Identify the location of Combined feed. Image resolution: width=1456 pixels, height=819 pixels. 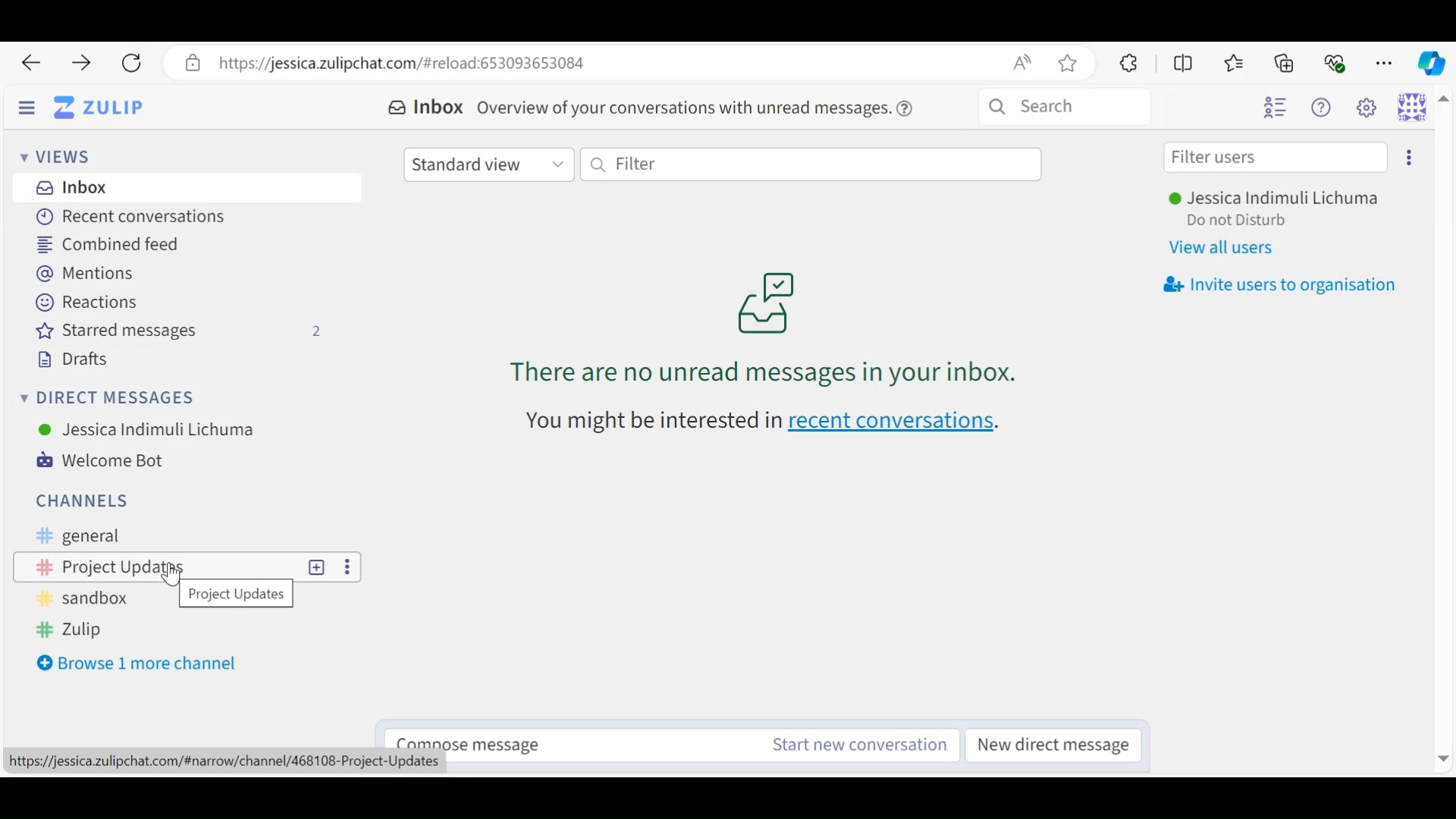
(111, 243).